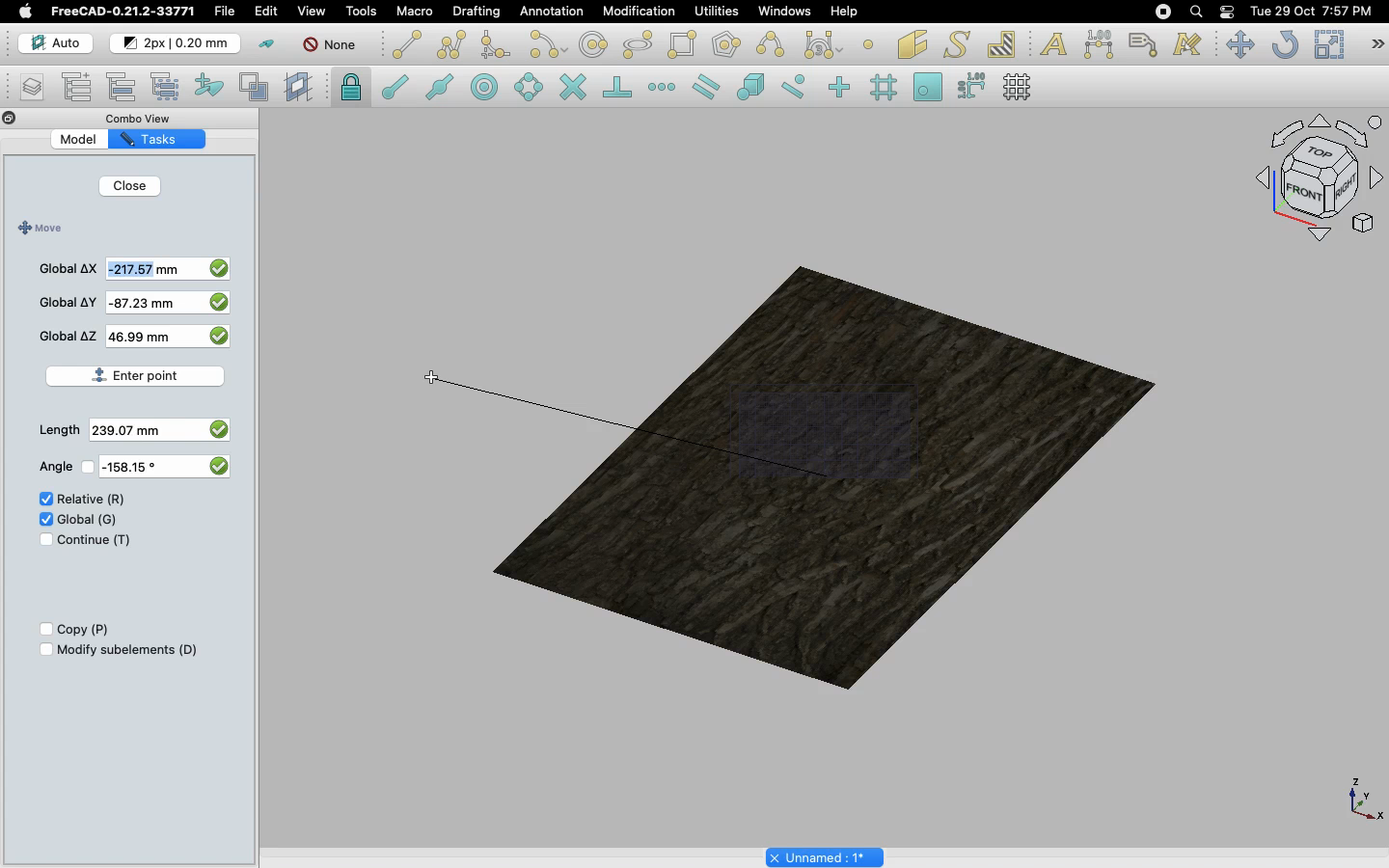 The image size is (1389, 868). Describe the element at coordinates (81, 89) in the screenshot. I see `Add new named group` at that location.